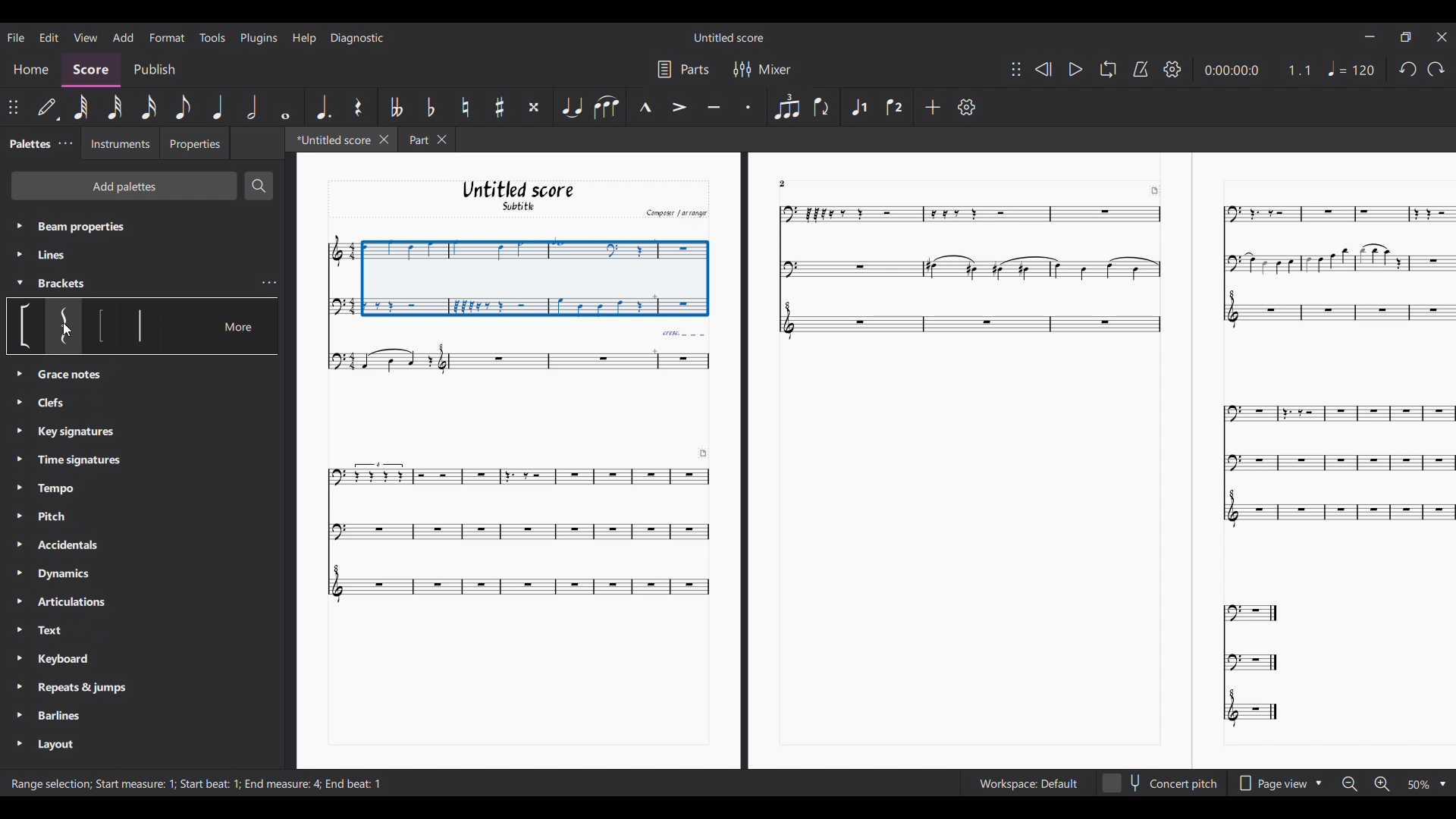 The height and width of the screenshot is (819, 1456). Describe the element at coordinates (17, 373) in the screenshot. I see `` at that location.